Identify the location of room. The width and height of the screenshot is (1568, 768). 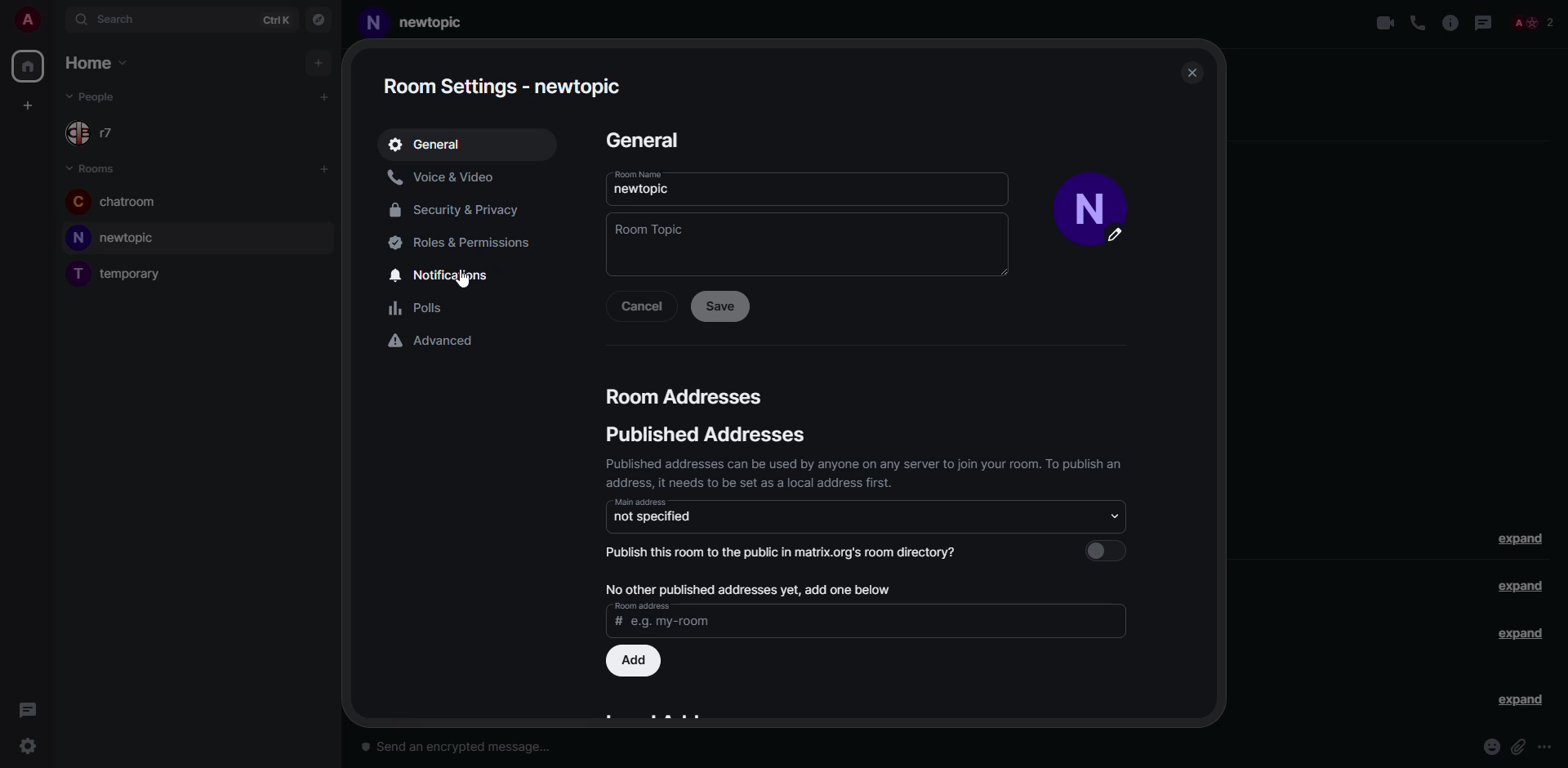
(120, 273).